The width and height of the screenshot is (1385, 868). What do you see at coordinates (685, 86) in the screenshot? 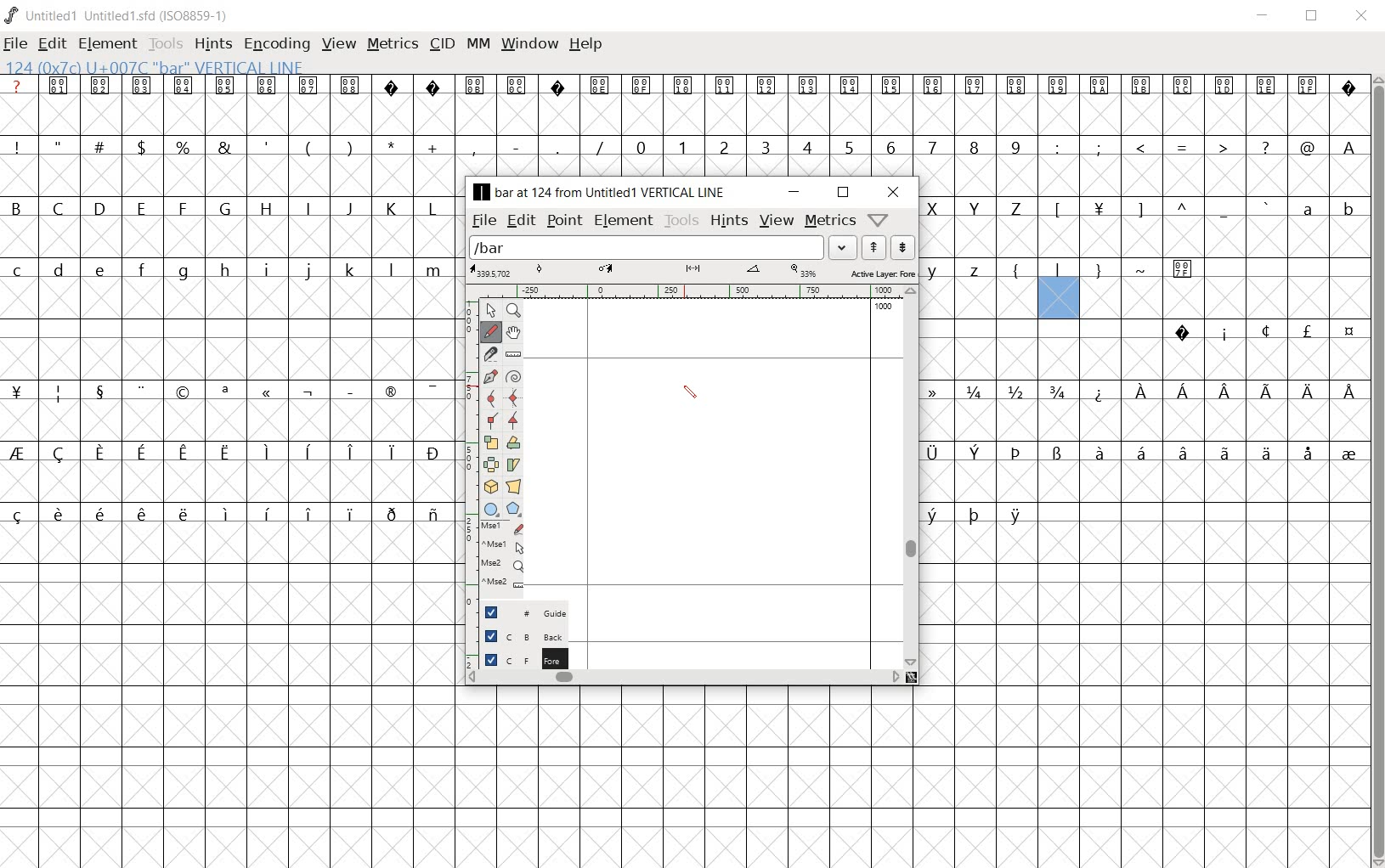
I see `special symbols` at bounding box center [685, 86].